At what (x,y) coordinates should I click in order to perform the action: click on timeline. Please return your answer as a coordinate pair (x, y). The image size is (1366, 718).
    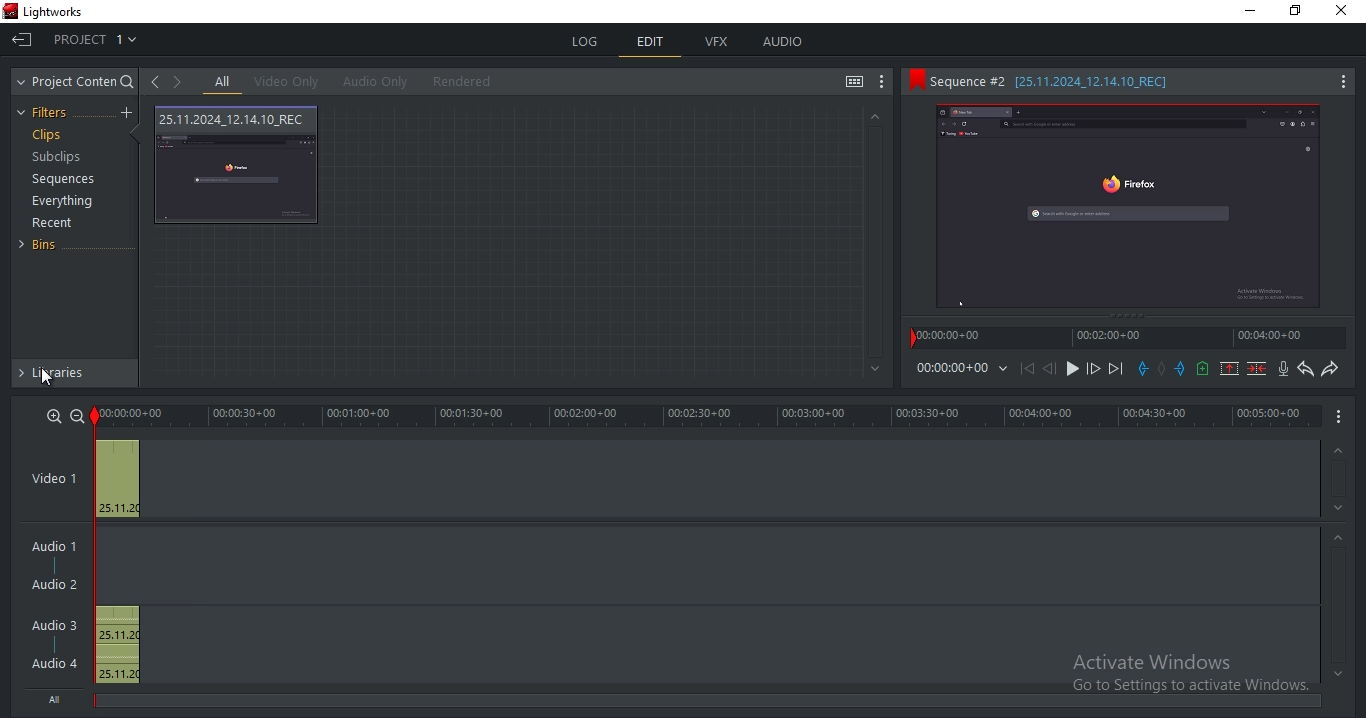
    Looking at the image, I should click on (1130, 341).